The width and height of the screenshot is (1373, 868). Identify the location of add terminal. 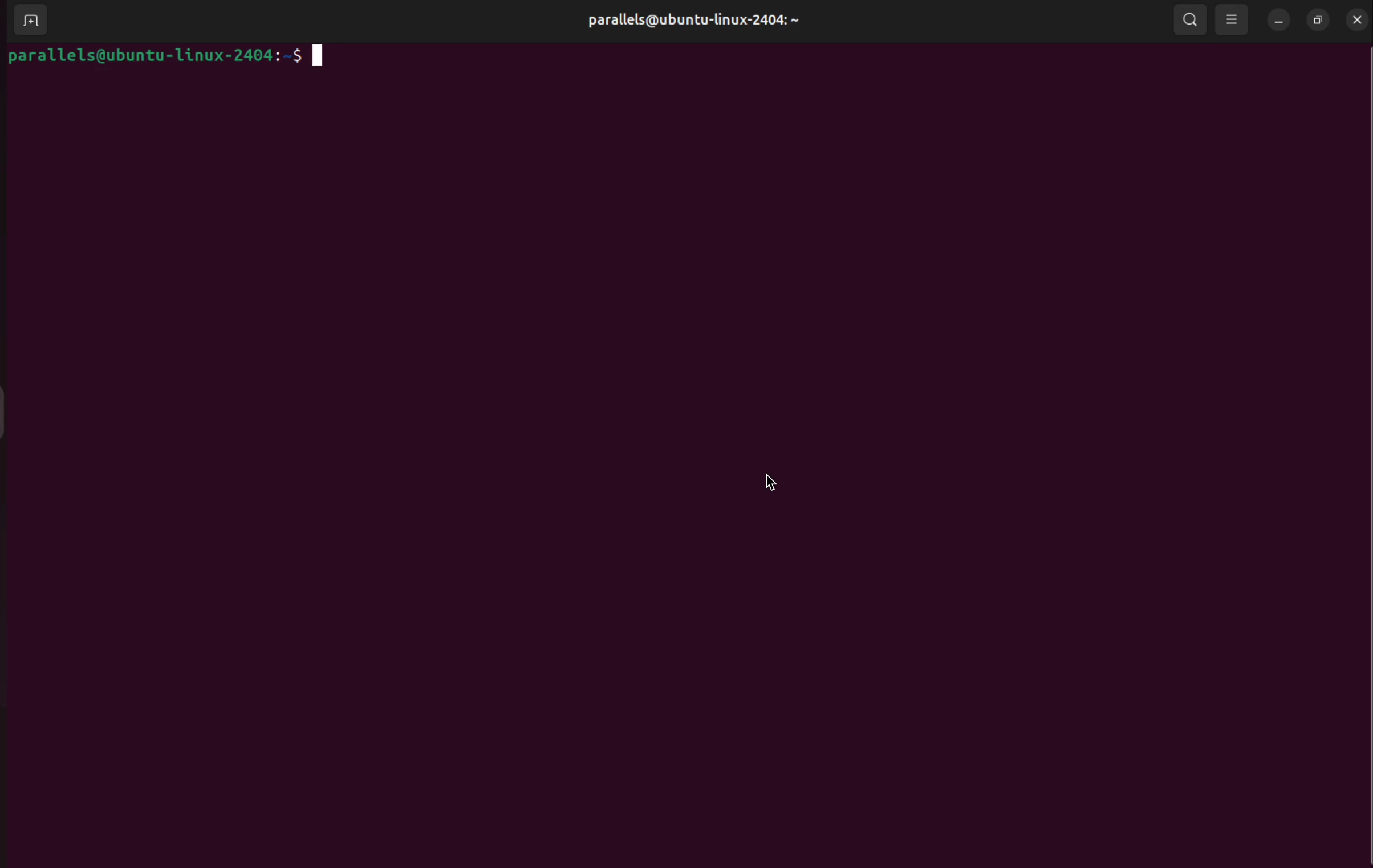
(27, 22).